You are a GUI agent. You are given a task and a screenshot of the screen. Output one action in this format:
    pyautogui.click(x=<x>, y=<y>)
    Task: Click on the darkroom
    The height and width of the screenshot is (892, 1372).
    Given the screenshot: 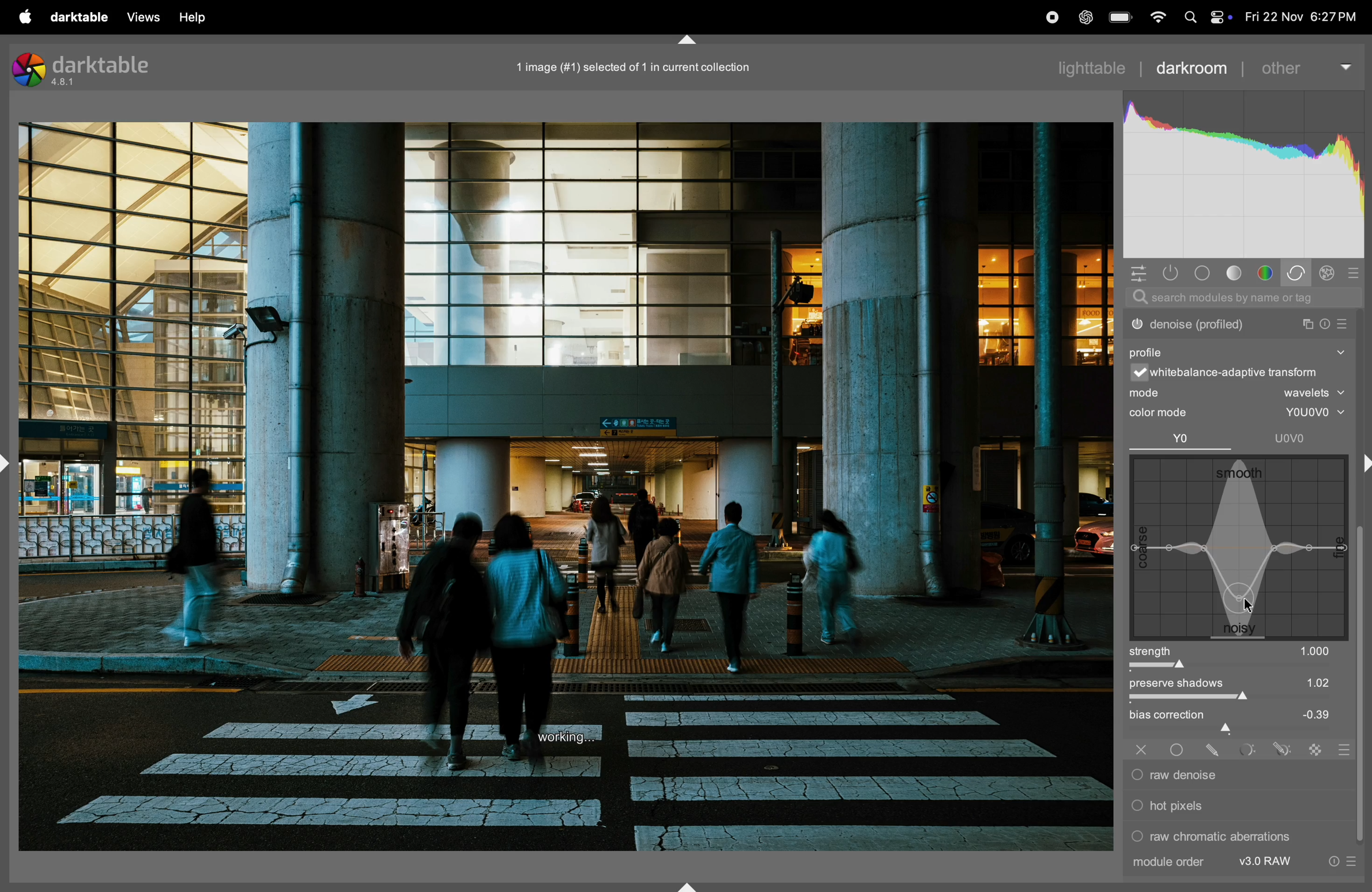 What is the action you would take?
    pyautogui.click(x=1195, y=70)
    